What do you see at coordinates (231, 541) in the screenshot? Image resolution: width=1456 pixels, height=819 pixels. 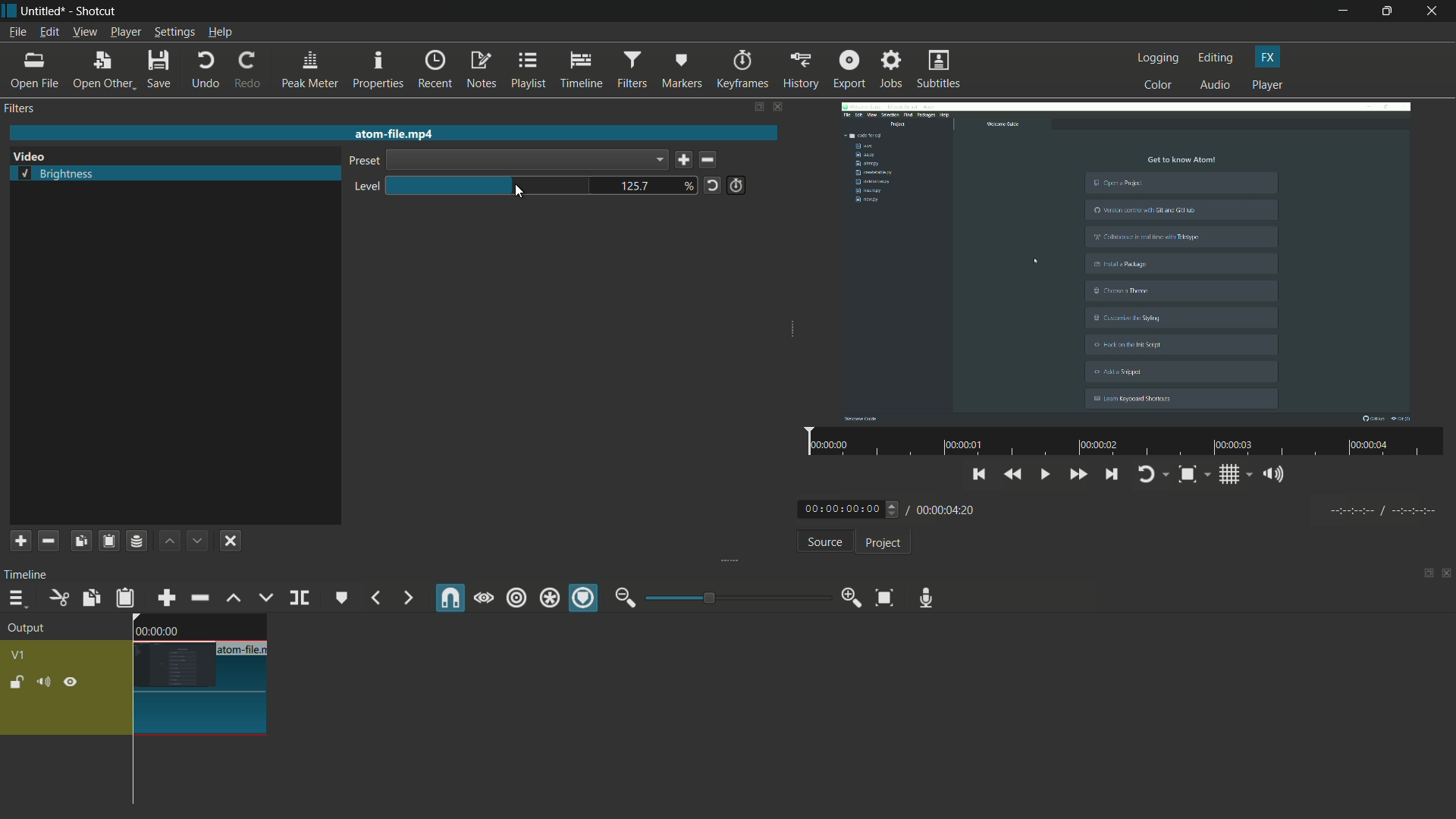 I see `deselect the filter` at bounding box center [231, 541].